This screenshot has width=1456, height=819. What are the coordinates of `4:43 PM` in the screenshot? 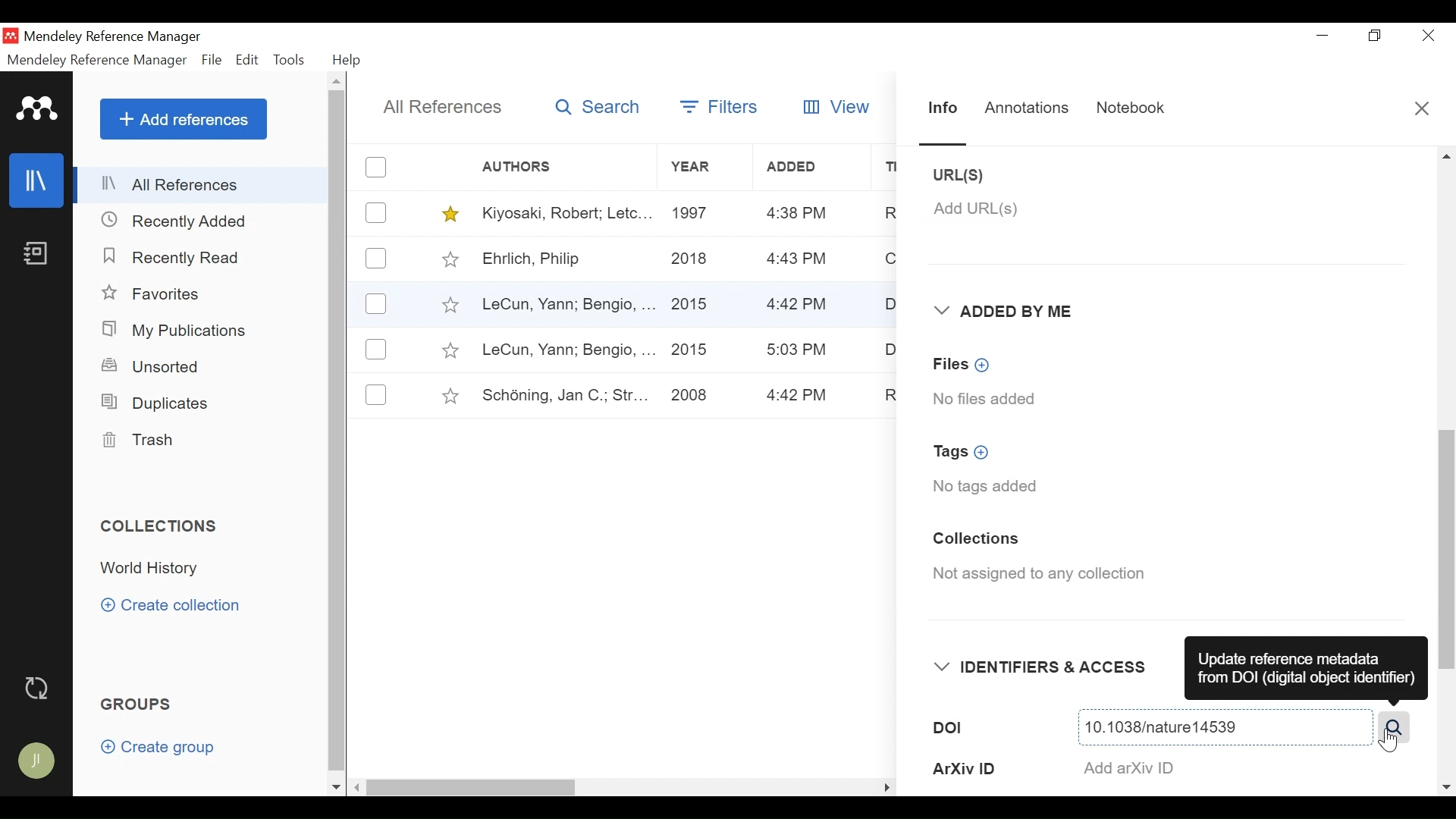 It's located at (798, 259).